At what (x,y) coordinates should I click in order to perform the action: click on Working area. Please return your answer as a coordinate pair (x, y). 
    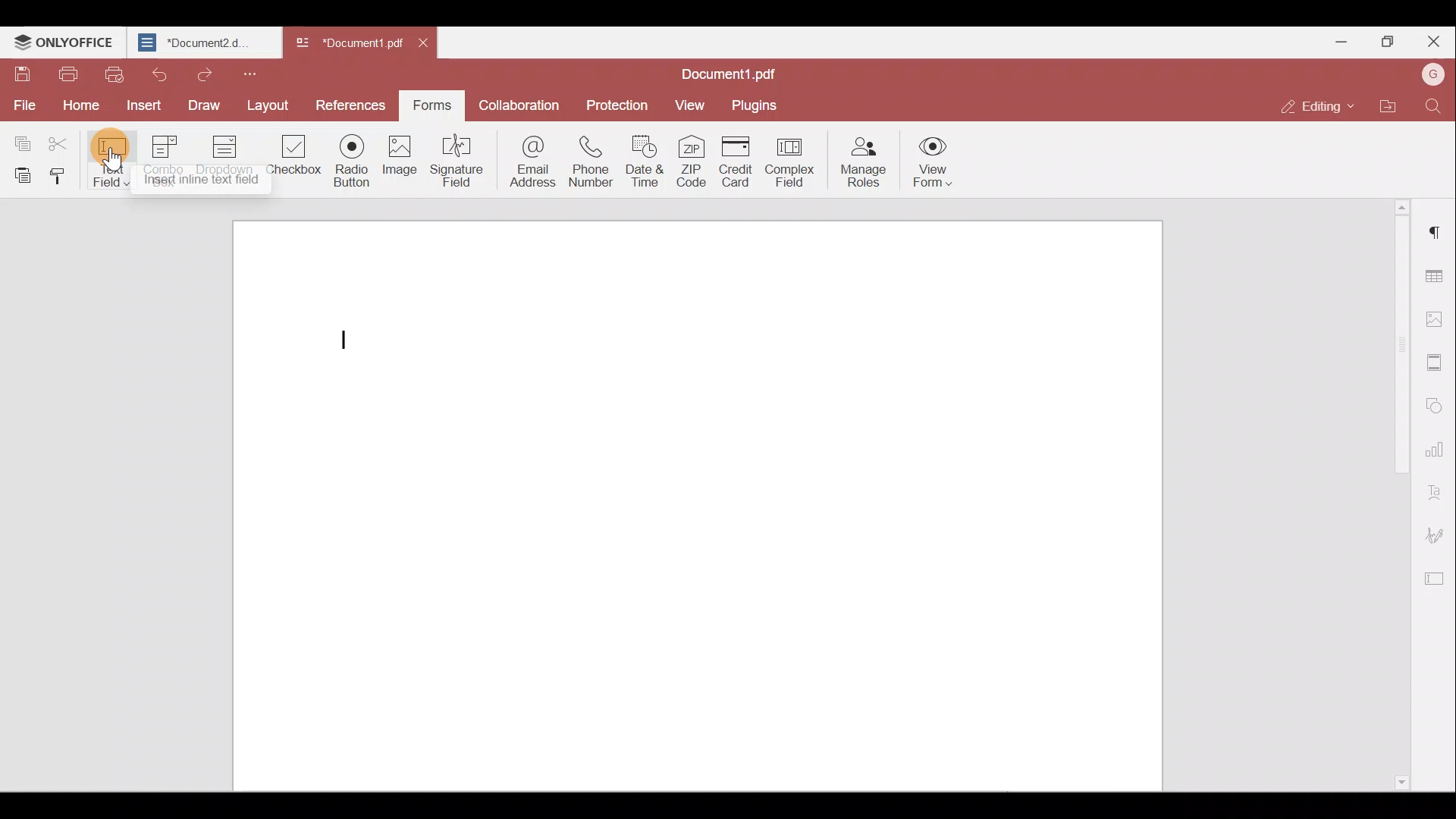
    Looking at the image, I should click on (704, 499).